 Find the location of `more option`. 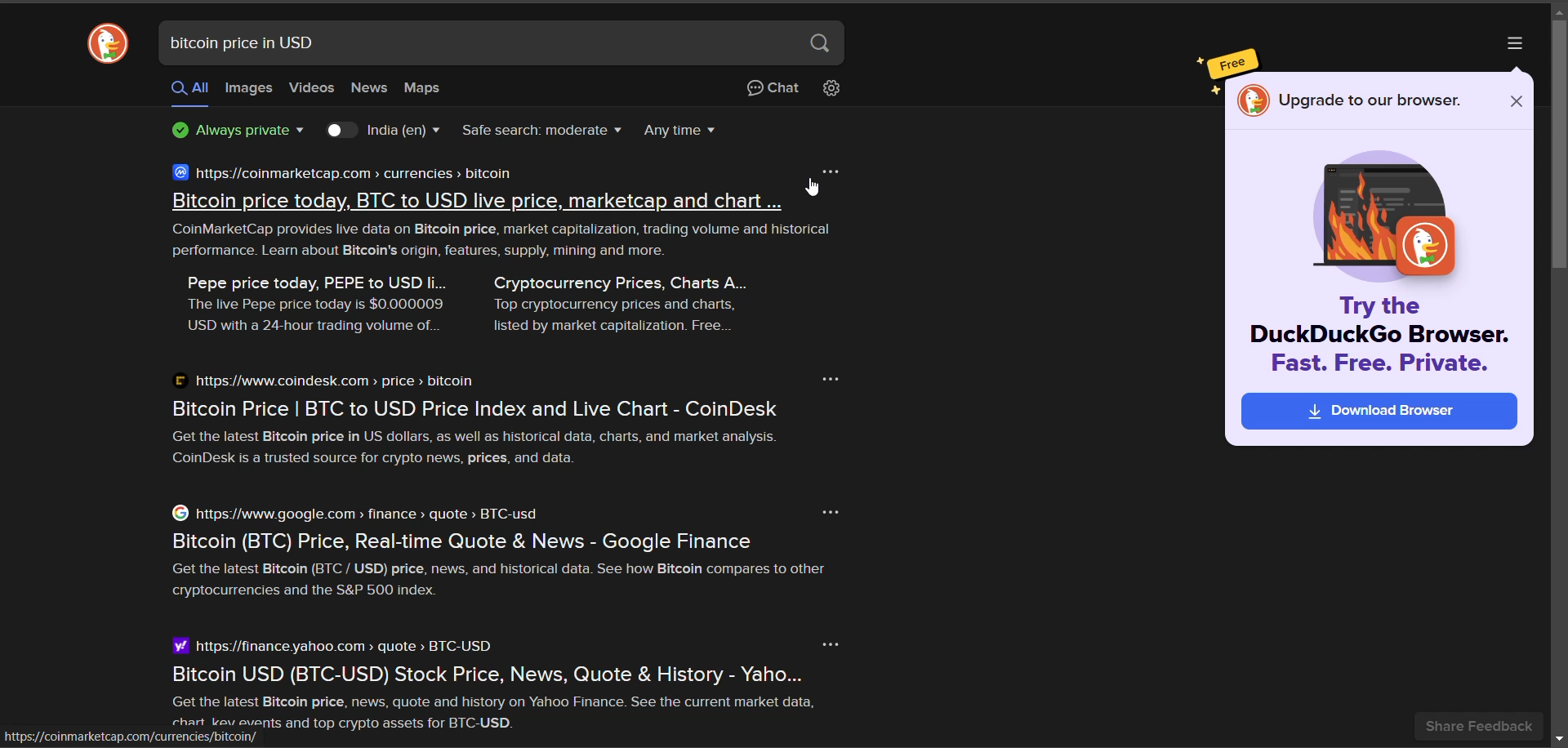

more option is located at coordinates (830, 642).